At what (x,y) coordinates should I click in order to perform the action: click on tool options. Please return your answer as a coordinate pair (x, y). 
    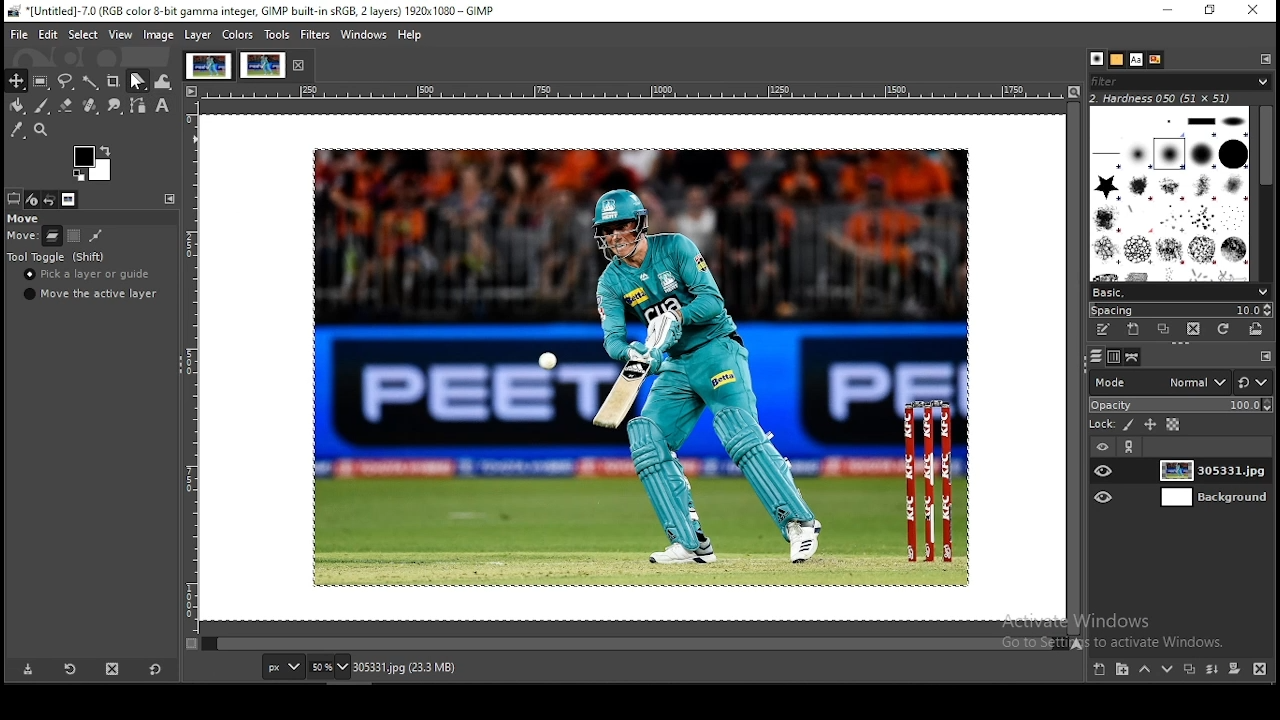
    Looking at the image, I should click on (13, 199).